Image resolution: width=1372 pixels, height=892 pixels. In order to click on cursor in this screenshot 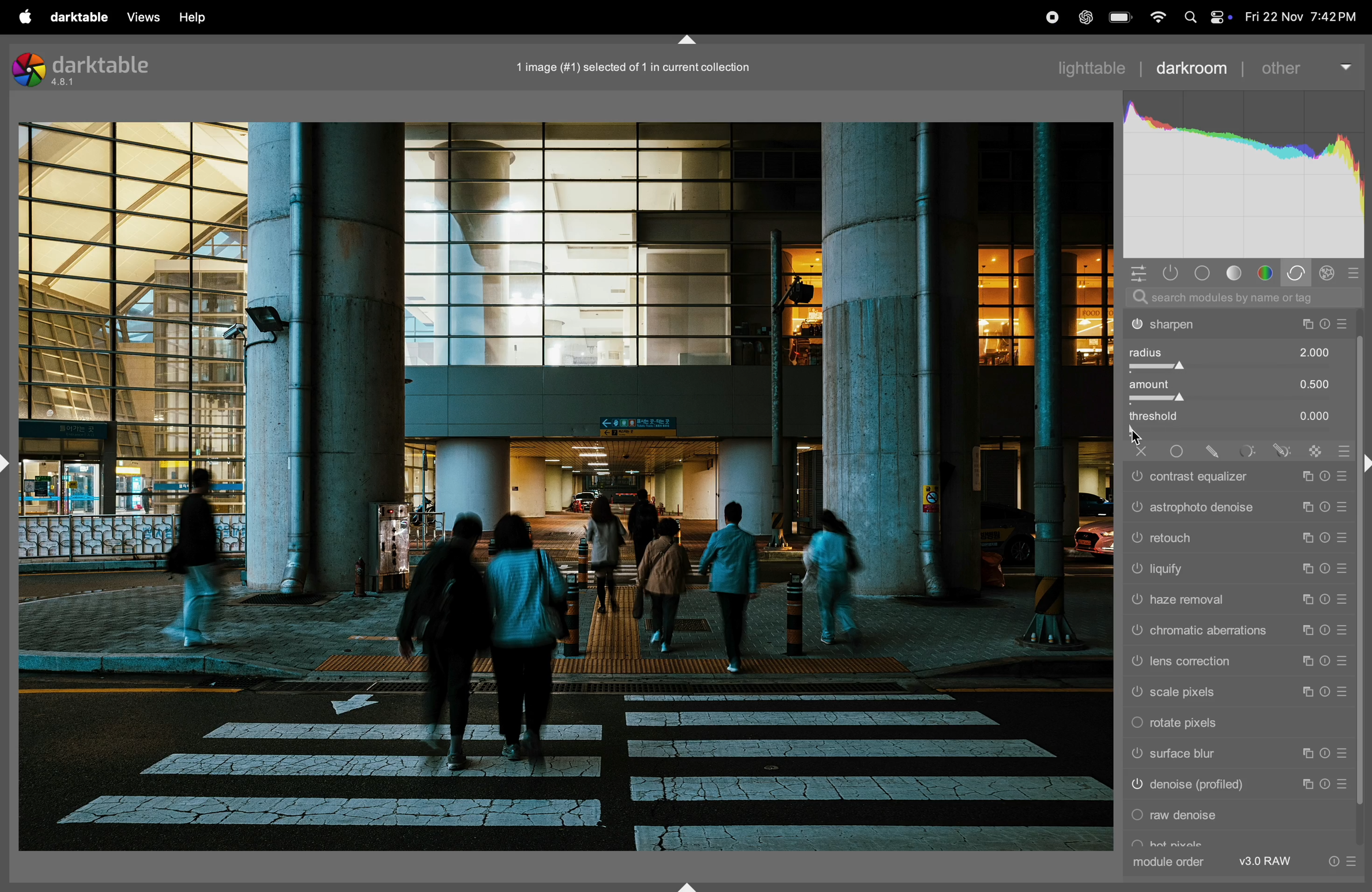, I will do `click(1140, 436)`.